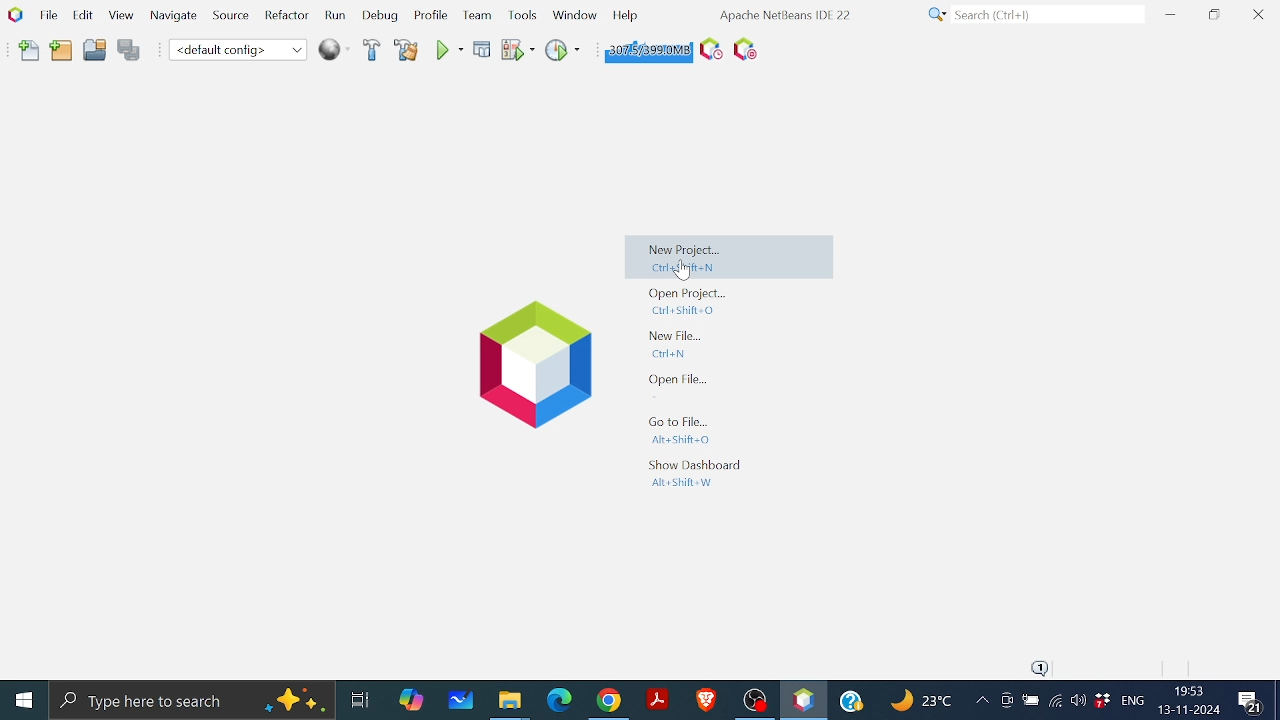  I want to click on netbeans logo, so click(527, 365).